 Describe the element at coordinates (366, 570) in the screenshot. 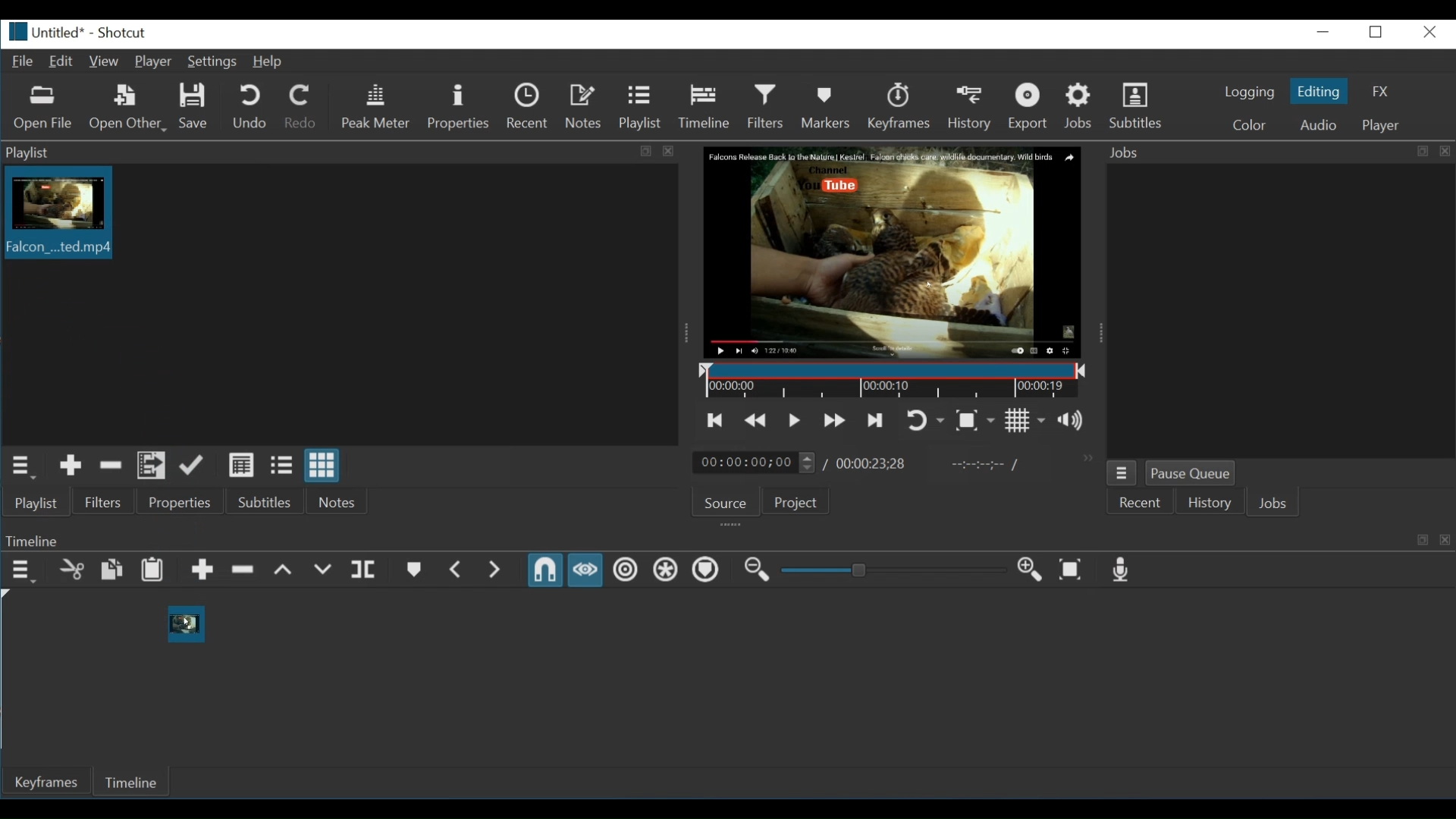

I see `Split at playhead` at that location.